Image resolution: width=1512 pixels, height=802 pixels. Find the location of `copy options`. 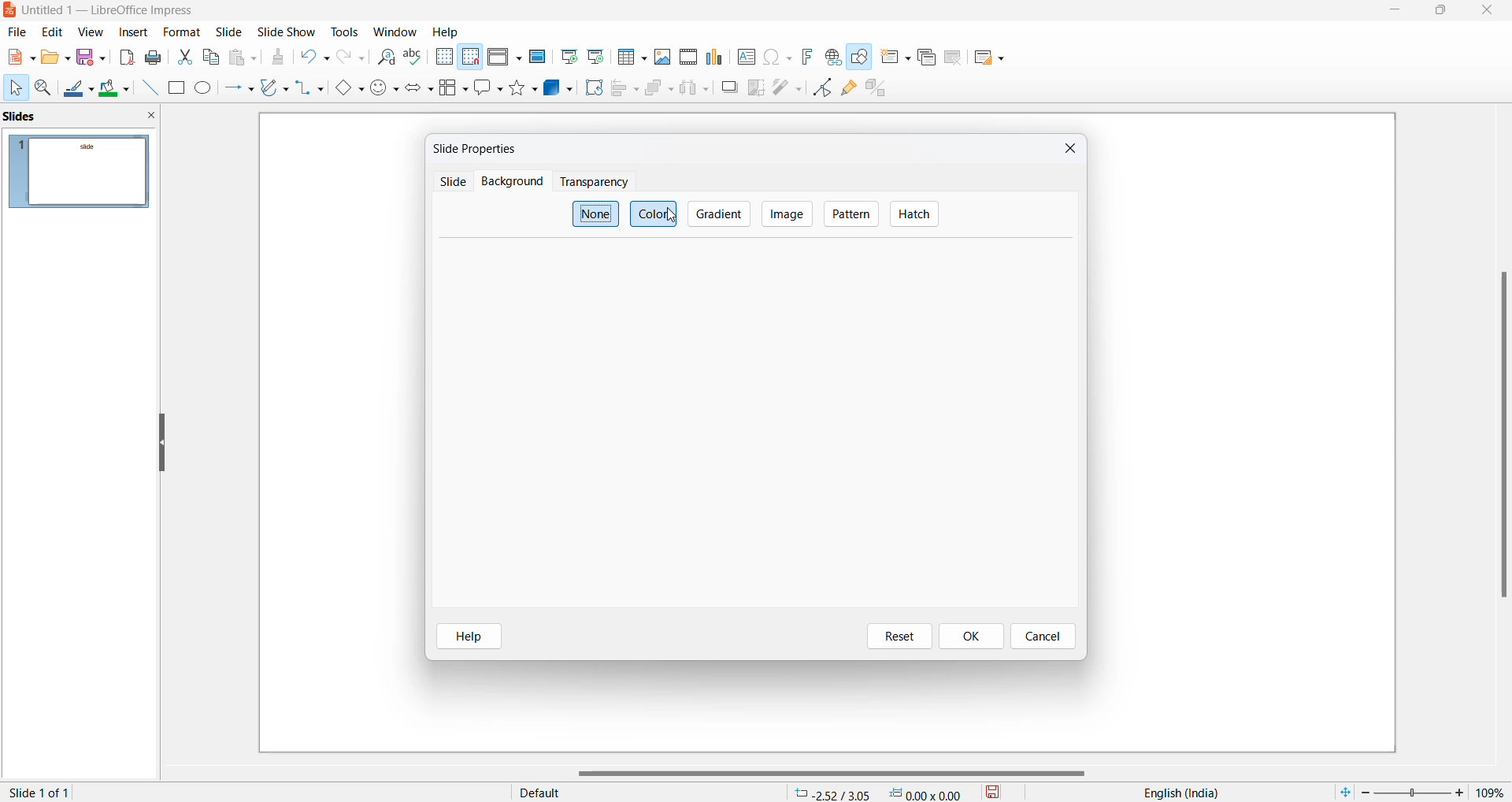

copy options is located at coordinates (212, 58).